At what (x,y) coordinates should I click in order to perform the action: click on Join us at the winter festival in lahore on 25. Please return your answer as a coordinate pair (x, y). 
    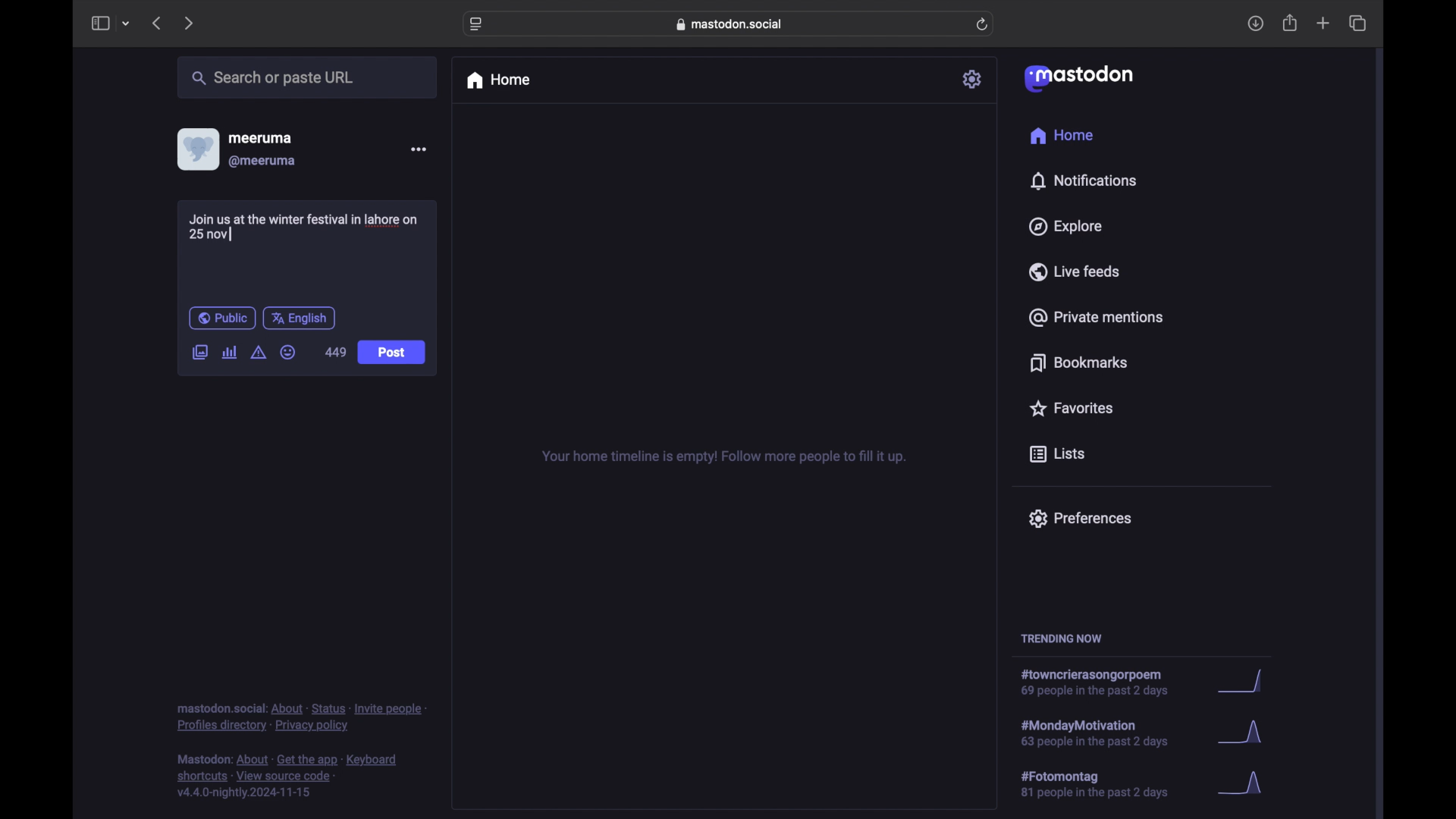
    Looking at the image, I should click on (309, 227).